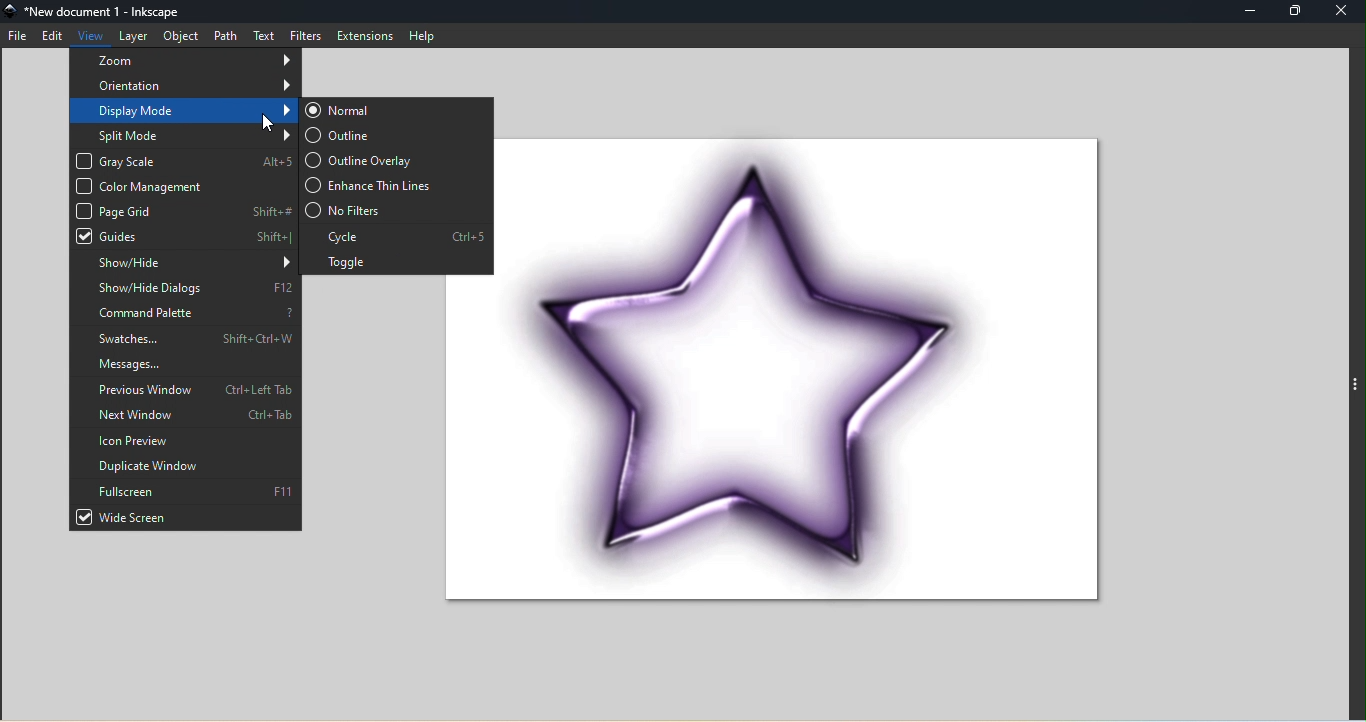 This screenshot has height=722, width=1366. What do you see at coordinates (186, 493) in the screenshot?
I see `Fullscreen` at bounding box center [186, 493].